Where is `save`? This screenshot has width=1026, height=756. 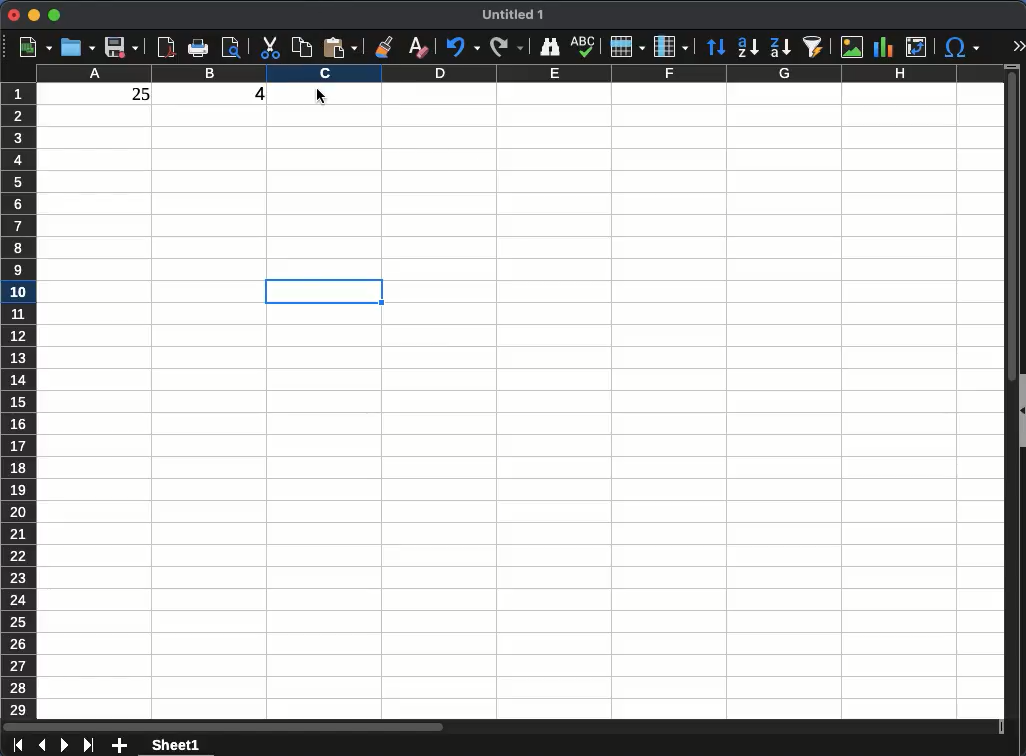 save is located at coordinates (120, 49).